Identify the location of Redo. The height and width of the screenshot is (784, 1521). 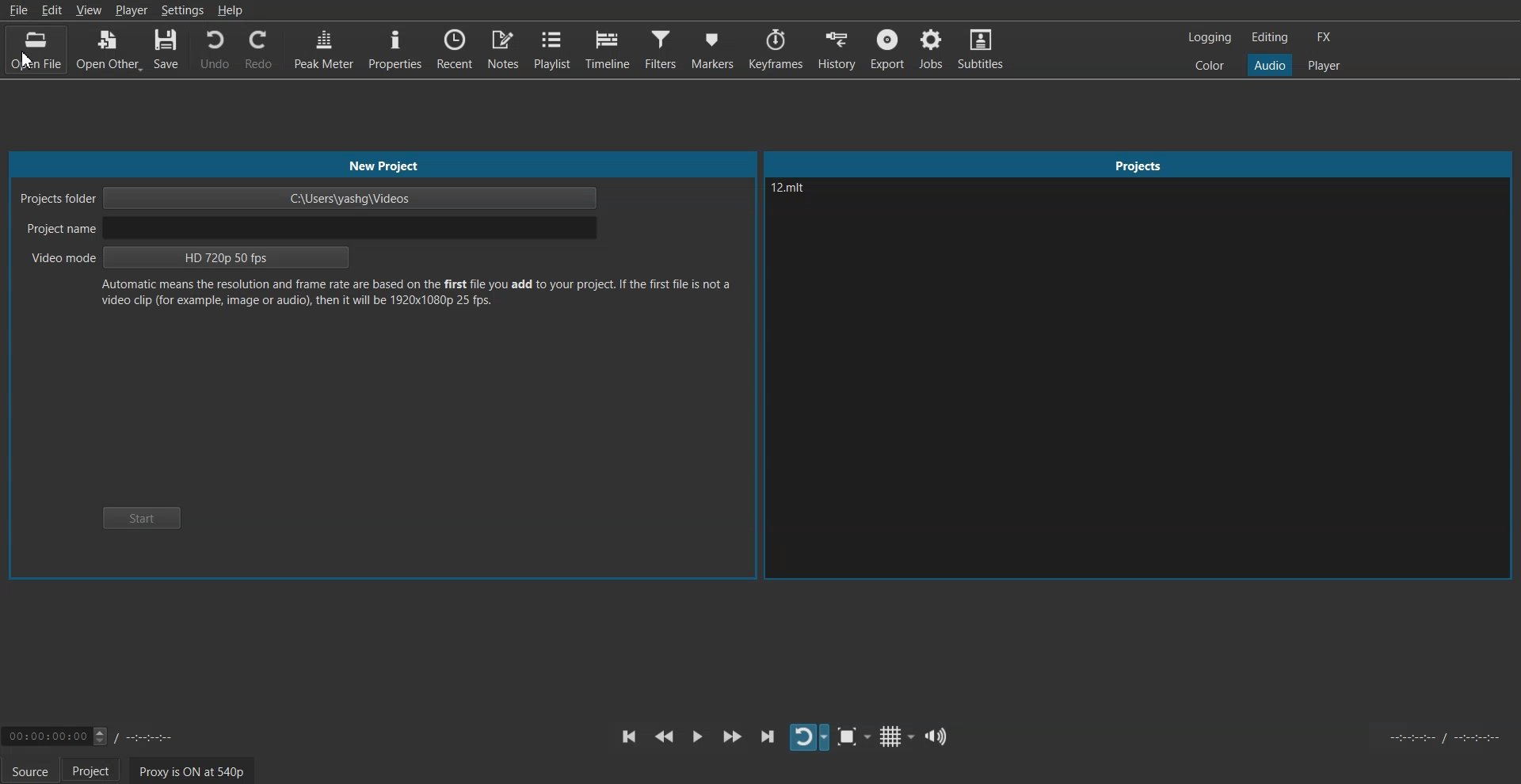
(257, 49).